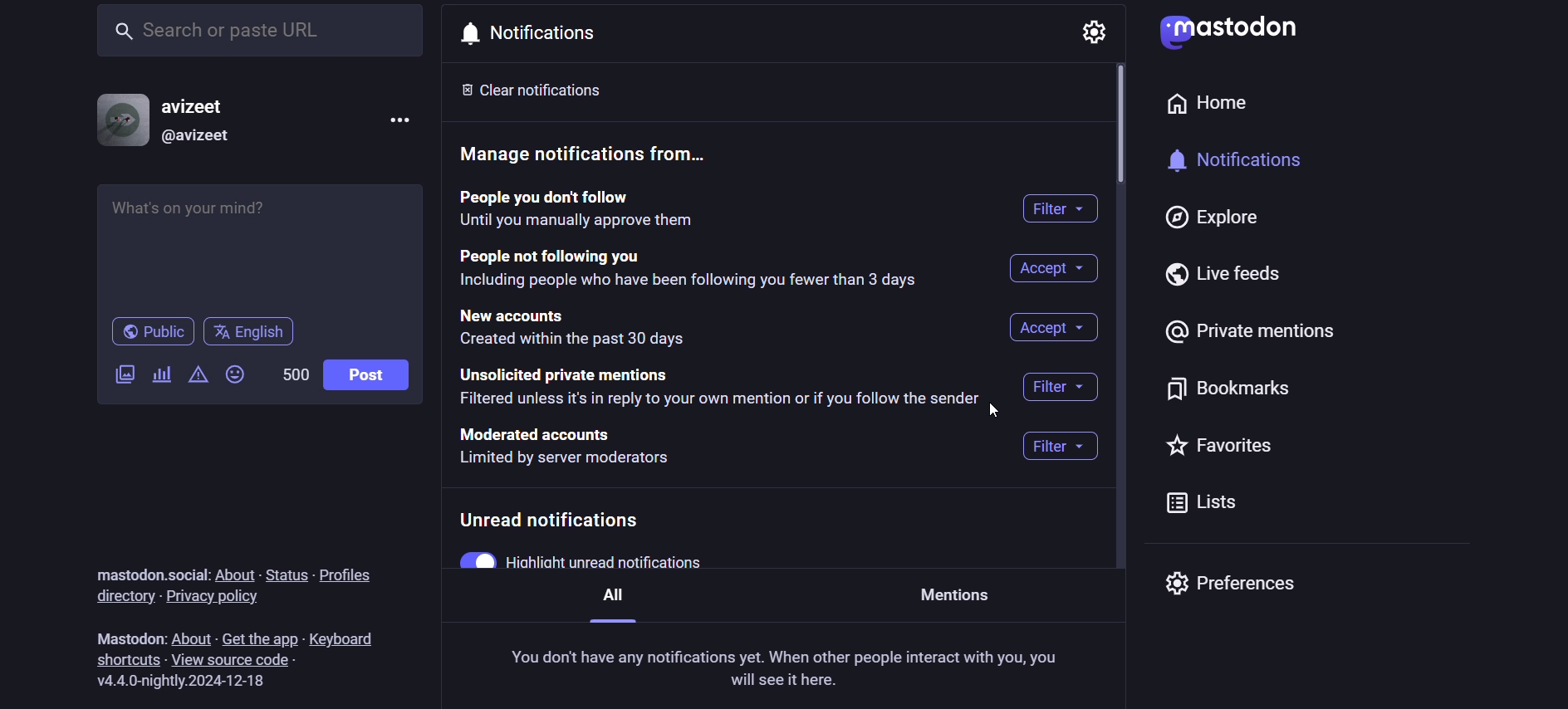 This screenshot has height=709, width=1568. Describe the element at coordinates (257, 29) in the screenshot. I see `Search or paste URL` at that location.